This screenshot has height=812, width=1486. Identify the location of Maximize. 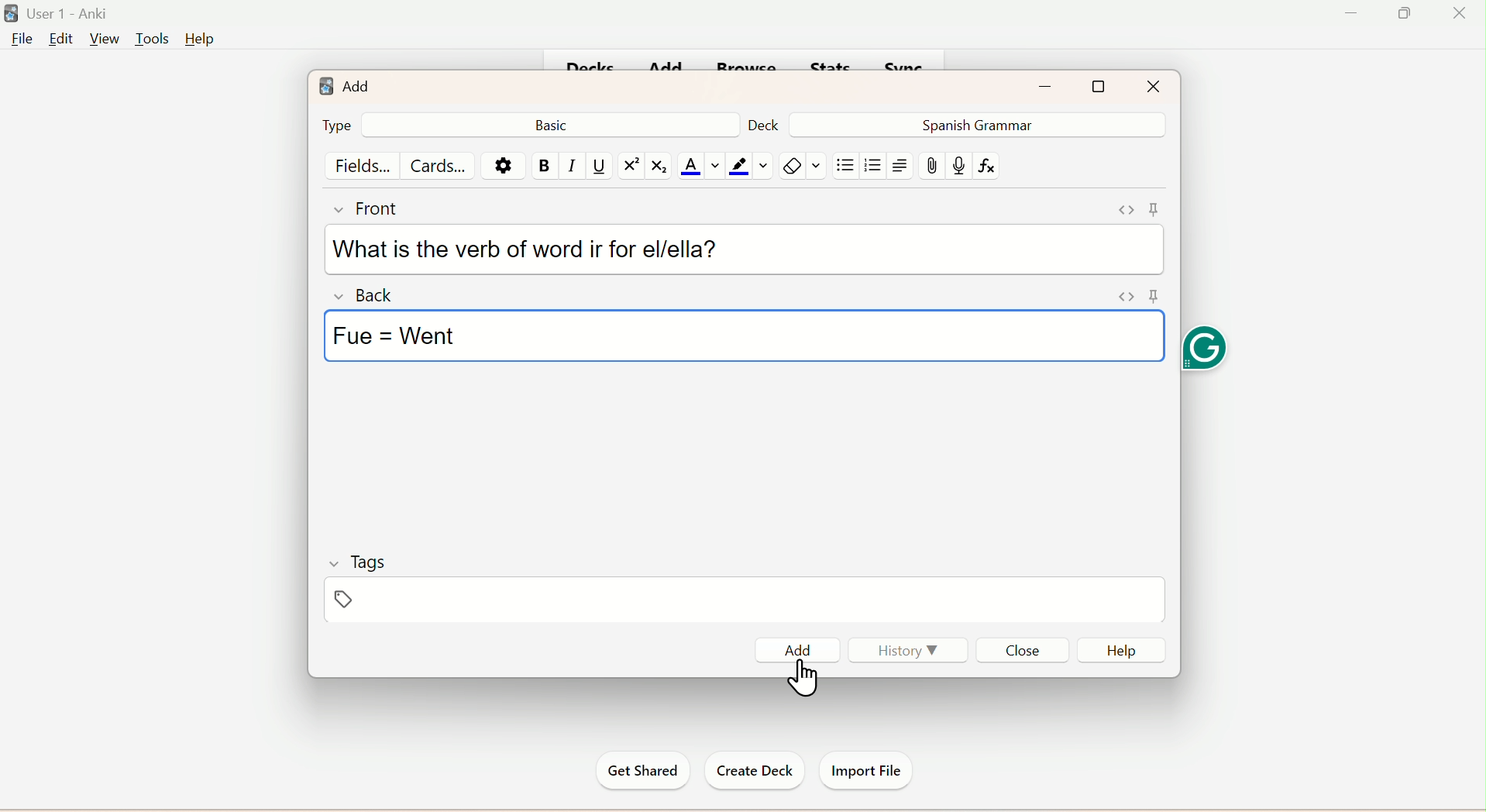
(1410, 12).